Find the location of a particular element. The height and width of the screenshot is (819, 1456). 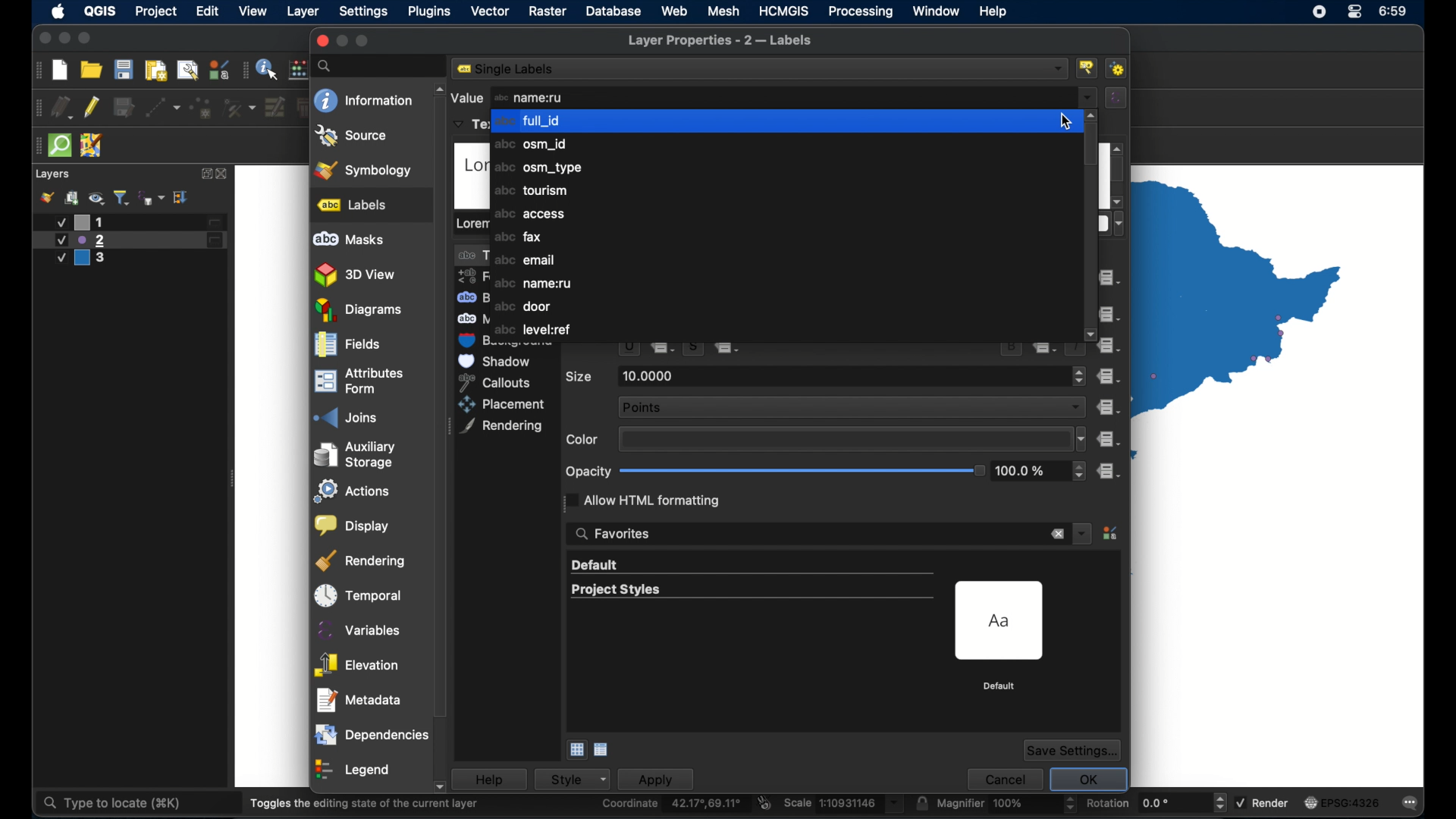

dropdown menu is located at coordinates (1088, 98).